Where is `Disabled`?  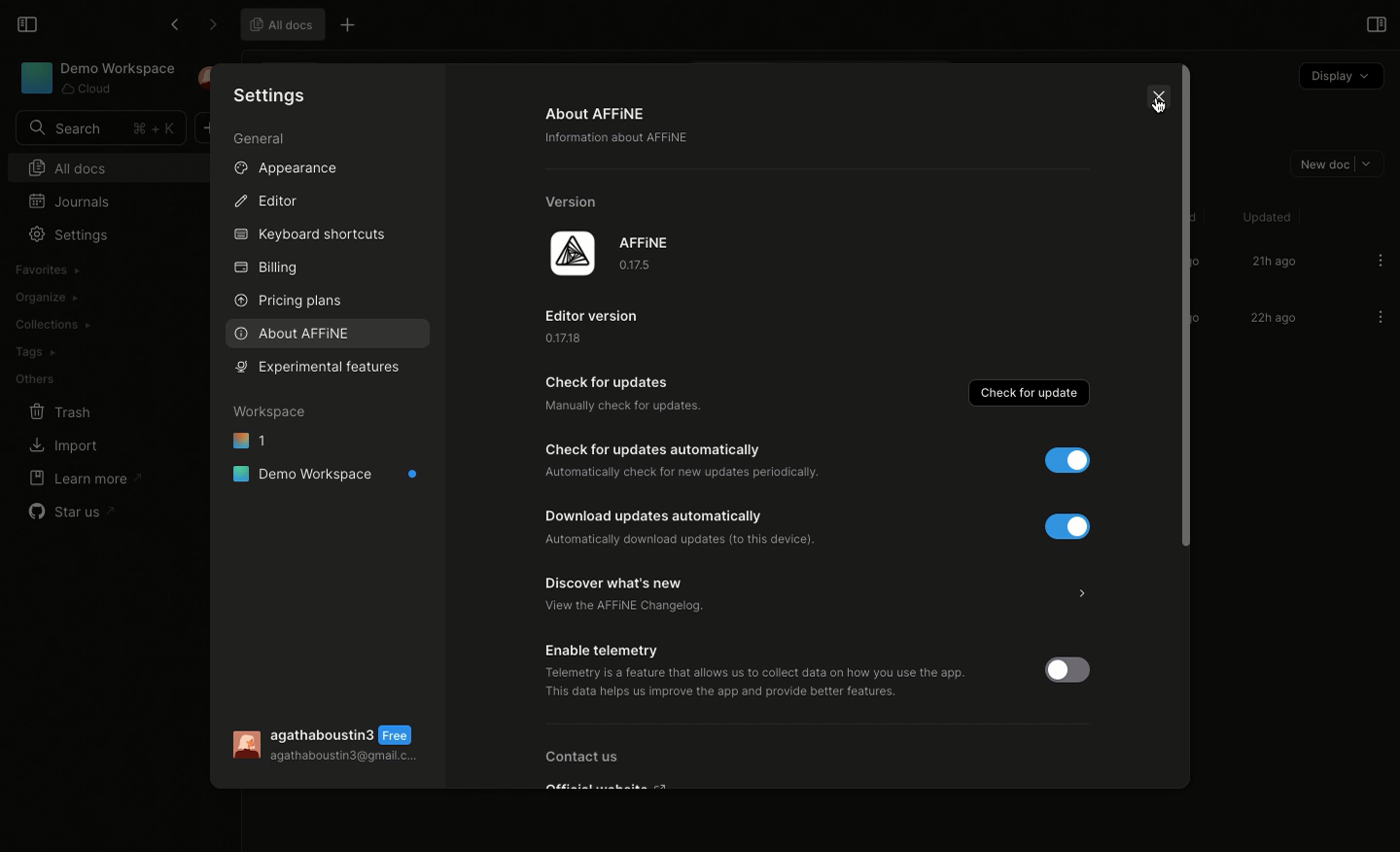
Disabled is located at coordinates (1075, 669).